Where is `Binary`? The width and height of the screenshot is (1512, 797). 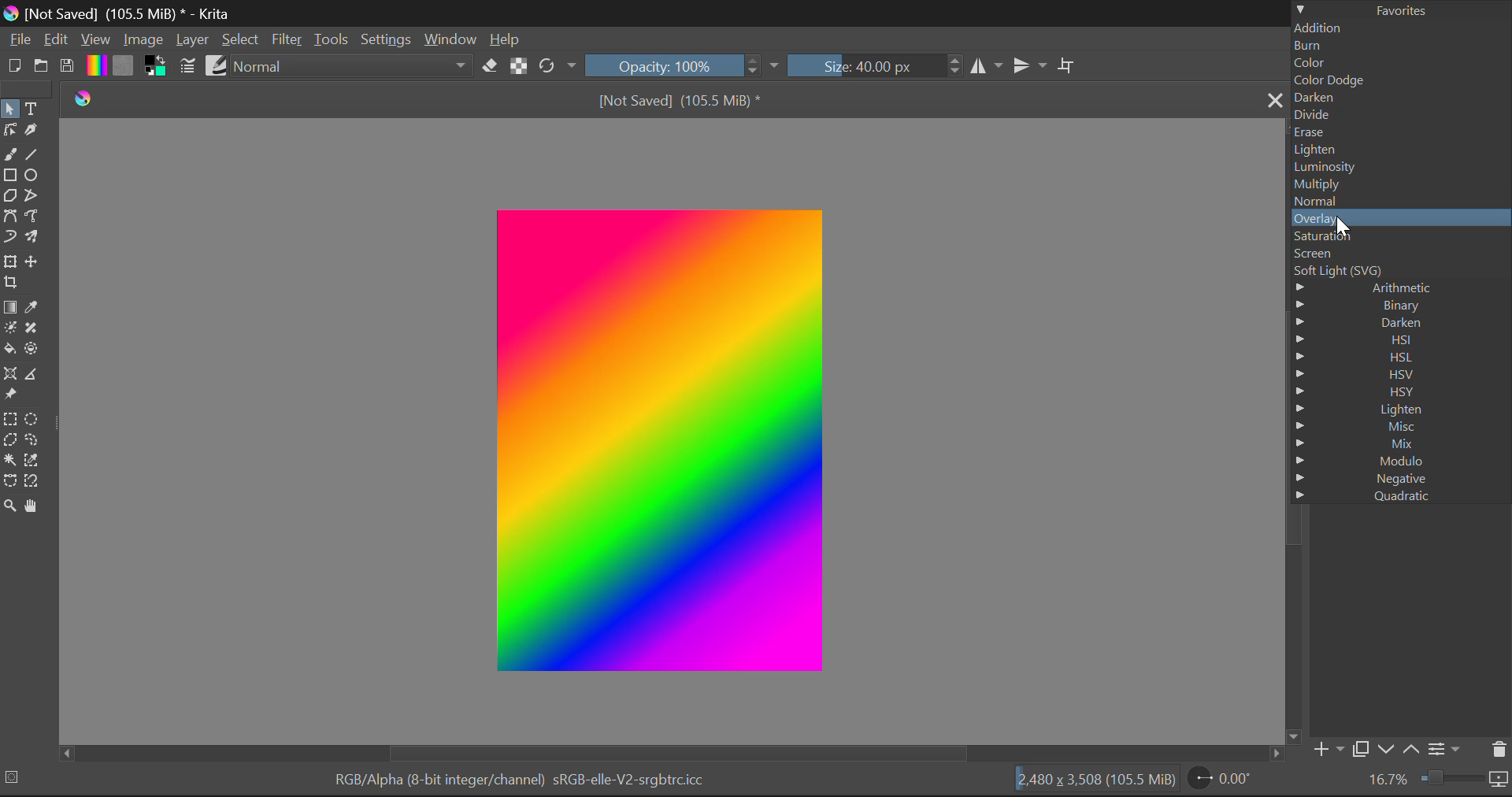 Binary is located at coordinates (1395, 306).